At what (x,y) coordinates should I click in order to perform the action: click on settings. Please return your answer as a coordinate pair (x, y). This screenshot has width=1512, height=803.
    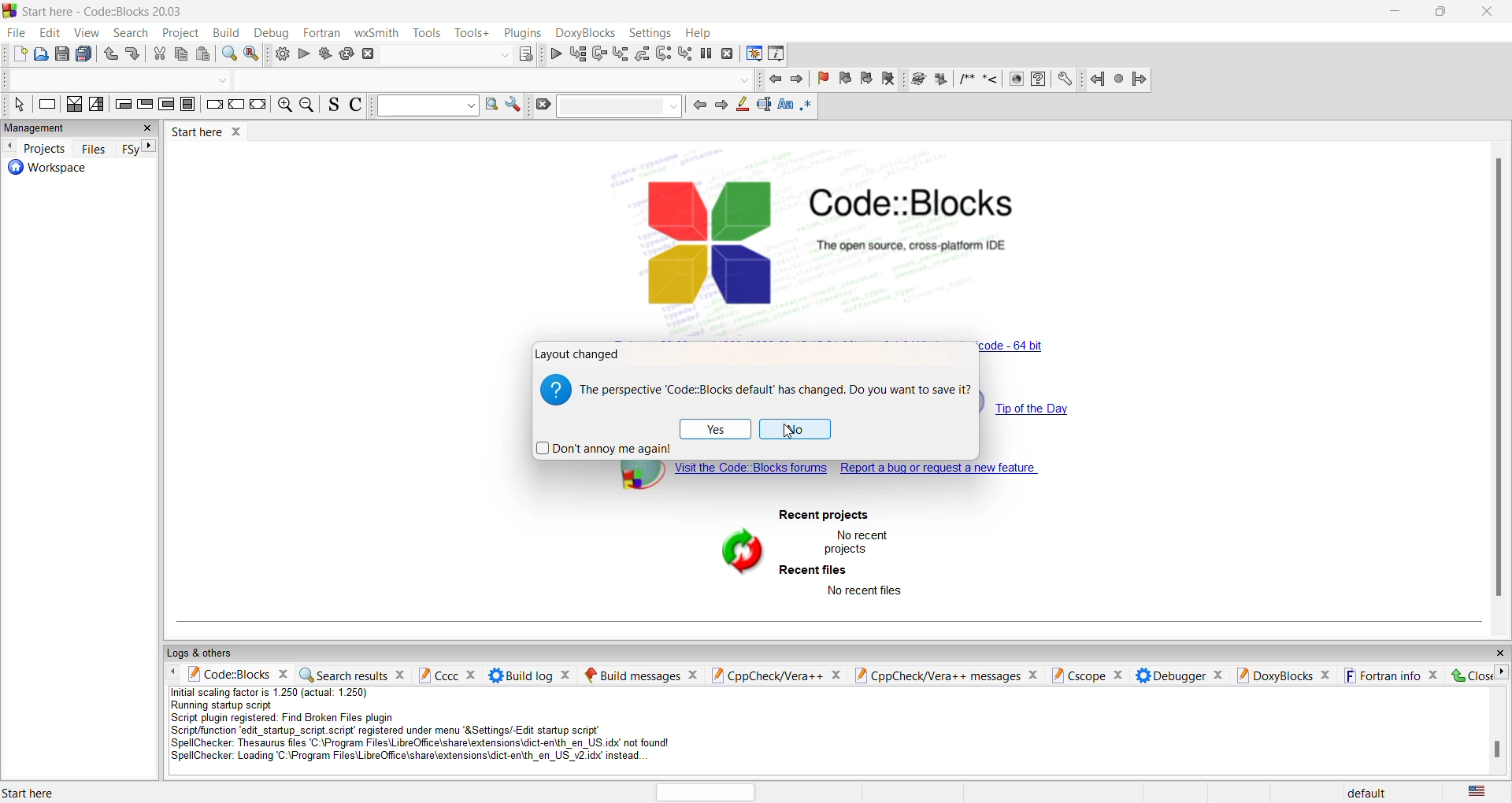
    Looking at the image, I should click on (648, 33).